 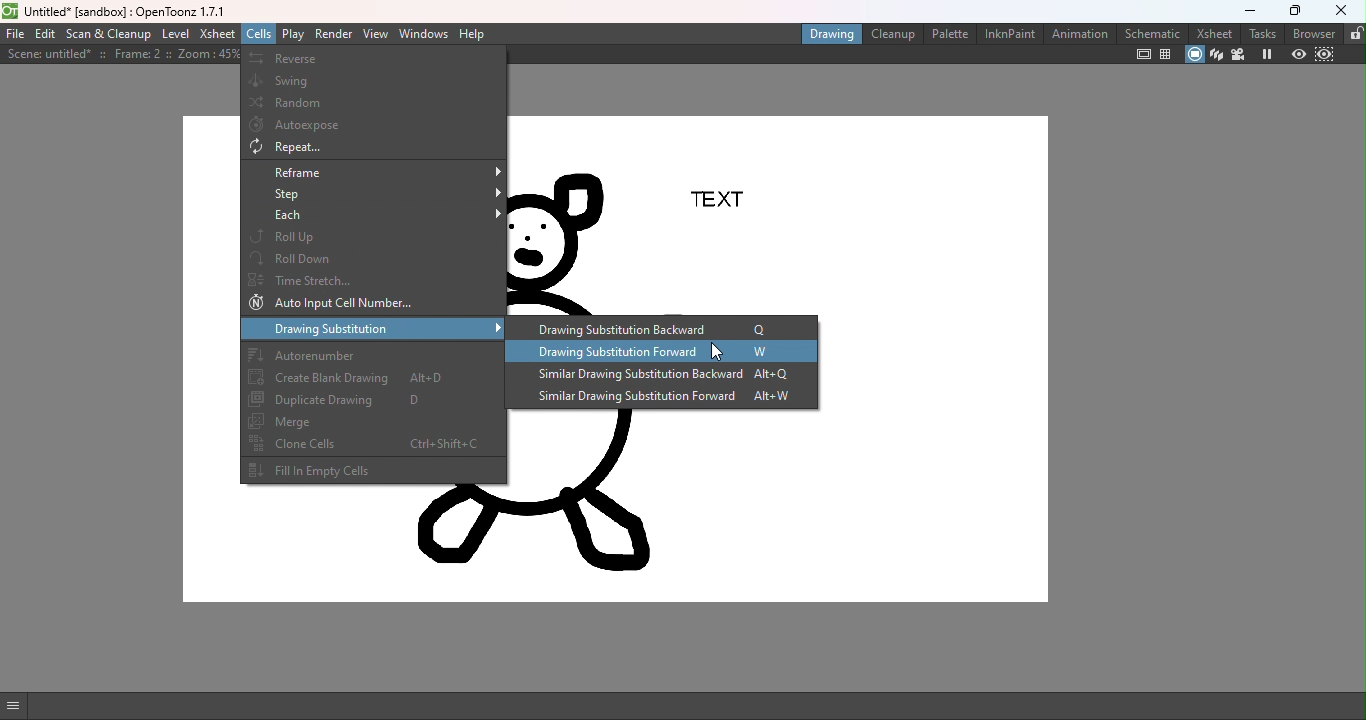 What do you see at coordinates (1193, 55) in the screenshot?
I see `Camera stand view` at bounding box center [1193, 55].